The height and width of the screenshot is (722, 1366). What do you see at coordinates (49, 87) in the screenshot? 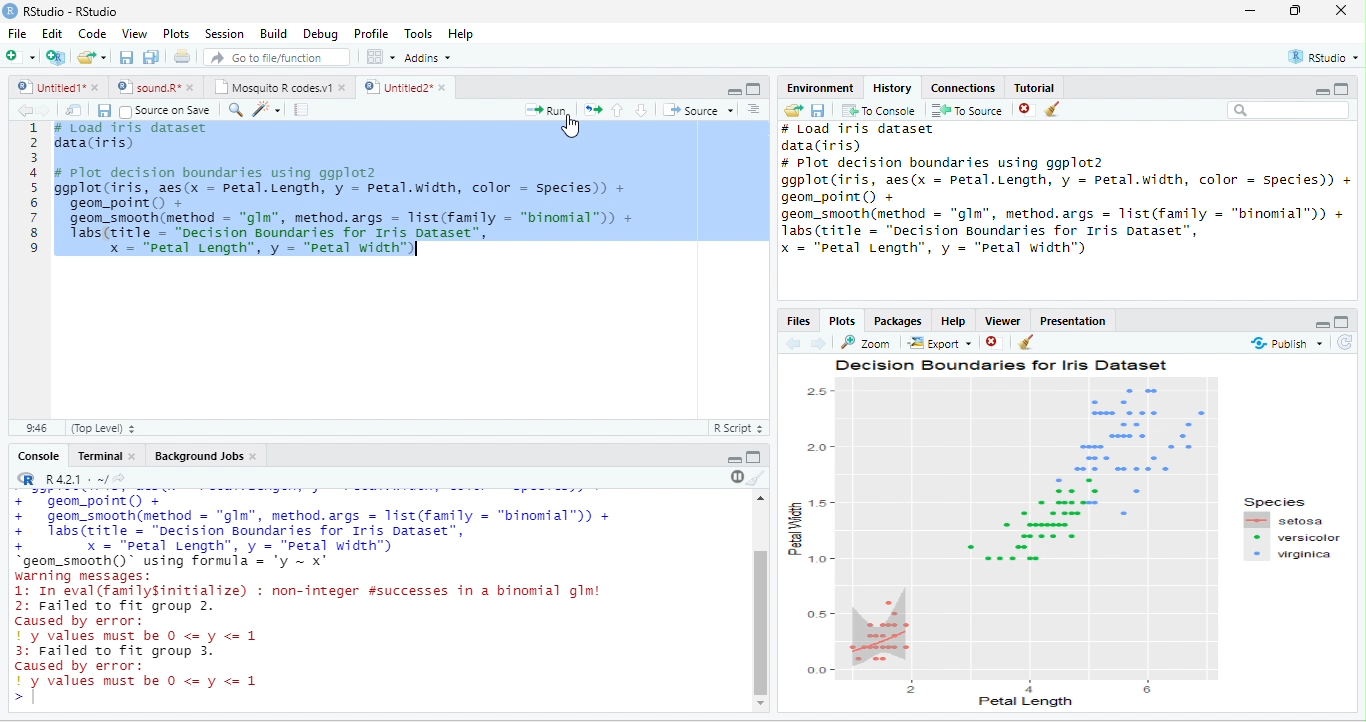
I see `Untitled` at bounding box center [49, 87].